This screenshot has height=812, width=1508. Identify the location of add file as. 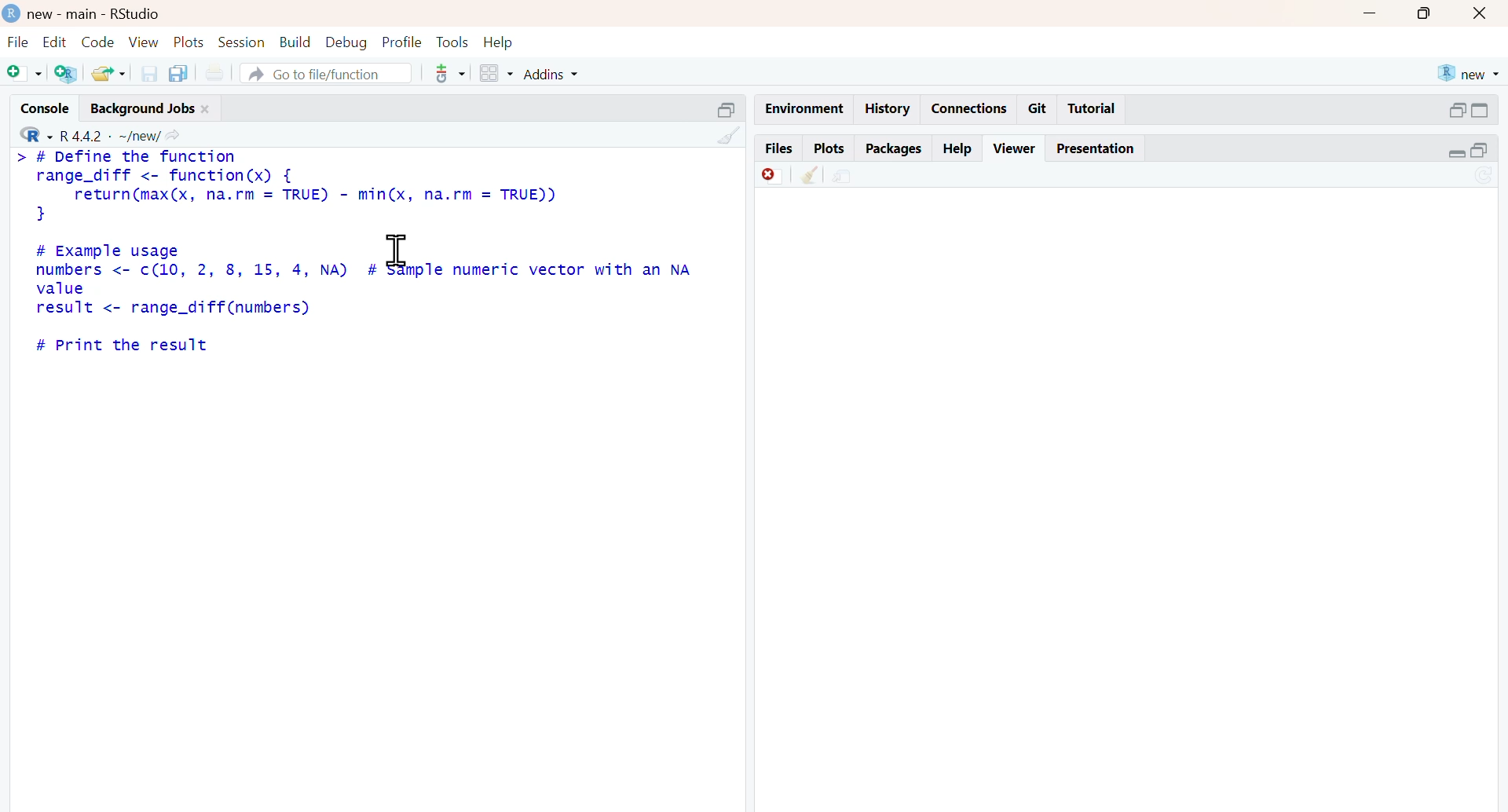
(26, 74).